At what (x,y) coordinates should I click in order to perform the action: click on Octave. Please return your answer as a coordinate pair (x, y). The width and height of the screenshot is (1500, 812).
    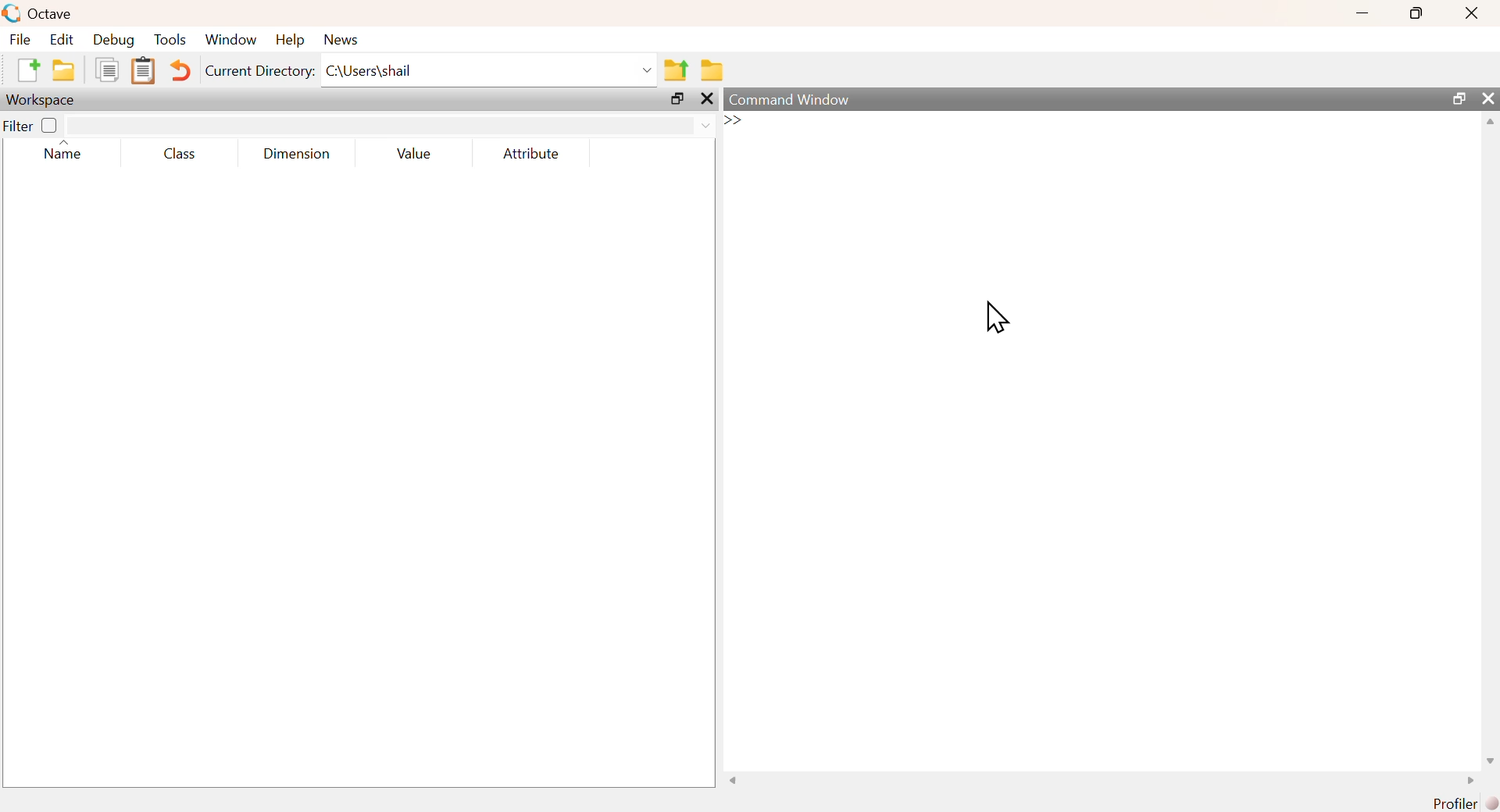
    Looking at the image, I should click on (48, 14).